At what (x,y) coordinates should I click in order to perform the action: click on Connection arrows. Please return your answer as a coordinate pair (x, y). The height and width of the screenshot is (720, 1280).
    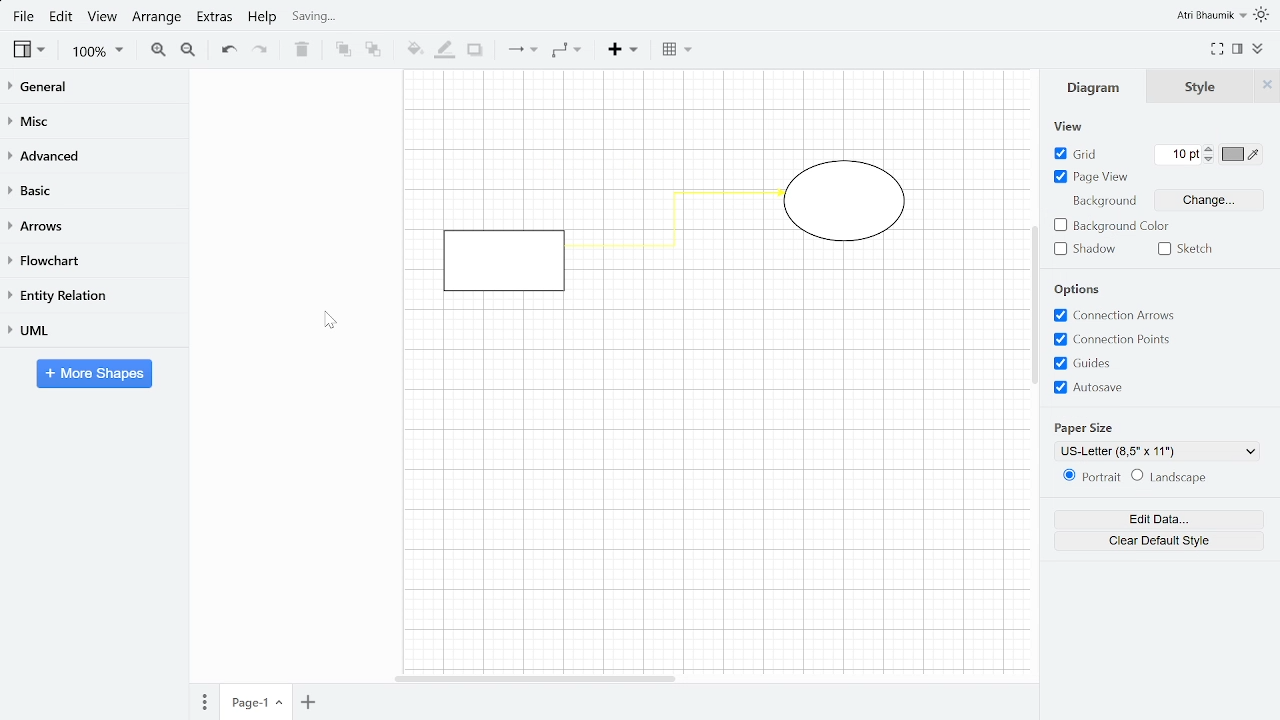
    Looking at the image, I should click on (1114, 315).